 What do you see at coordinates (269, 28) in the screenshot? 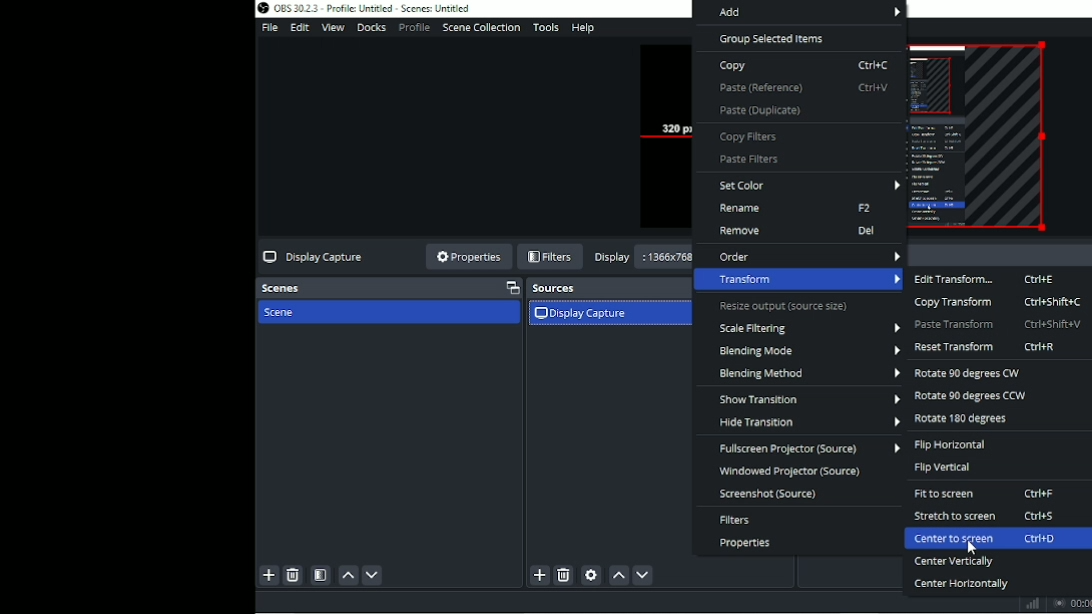
I see `File` at bounding box center [269, 28].